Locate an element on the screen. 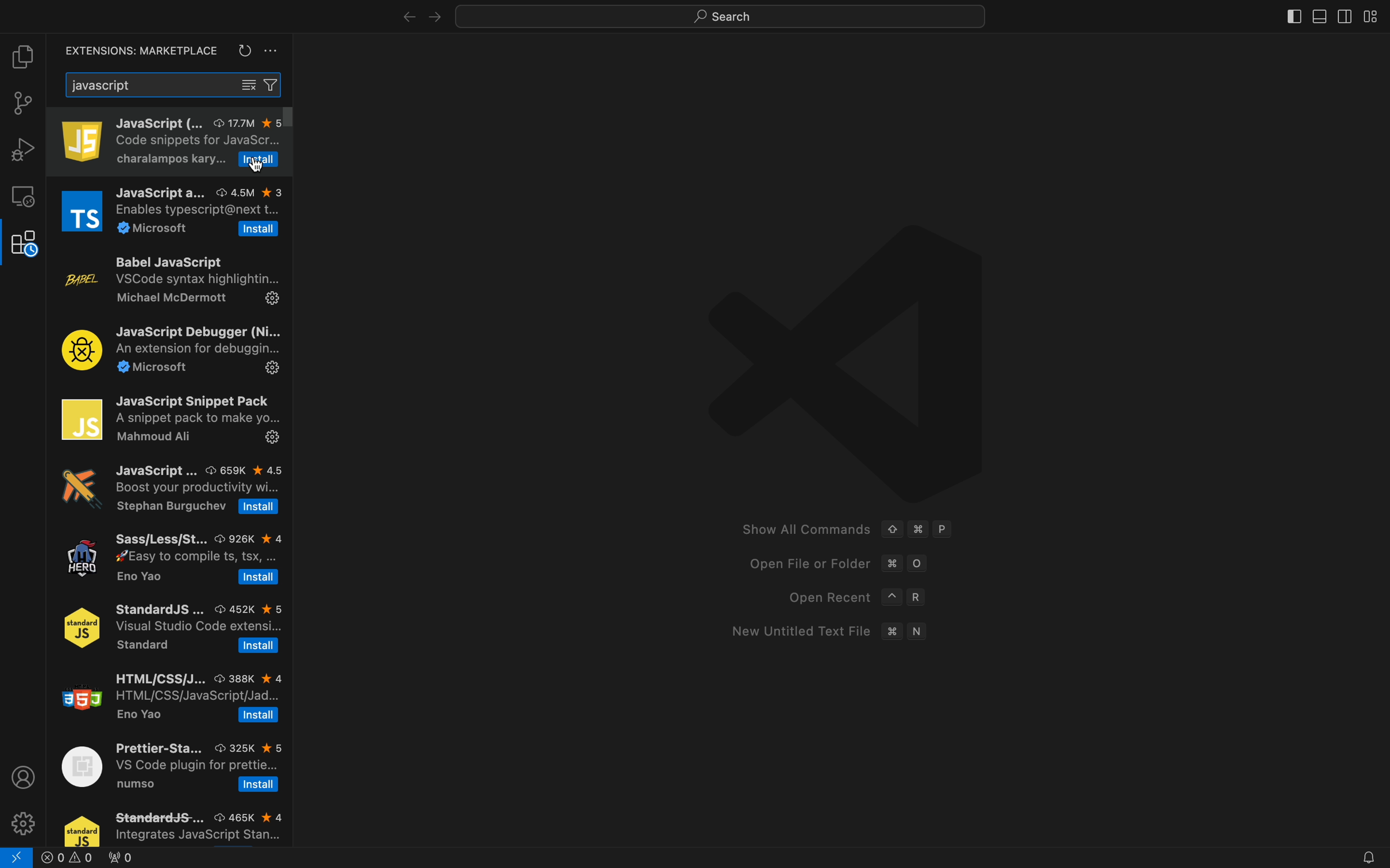 The height and width of the screenshot is (868, 1390). JavaScript (... ®17.7M * 5
Code snippets for JavaScr...
charalampos kary... is located at coordinates (142, 137).